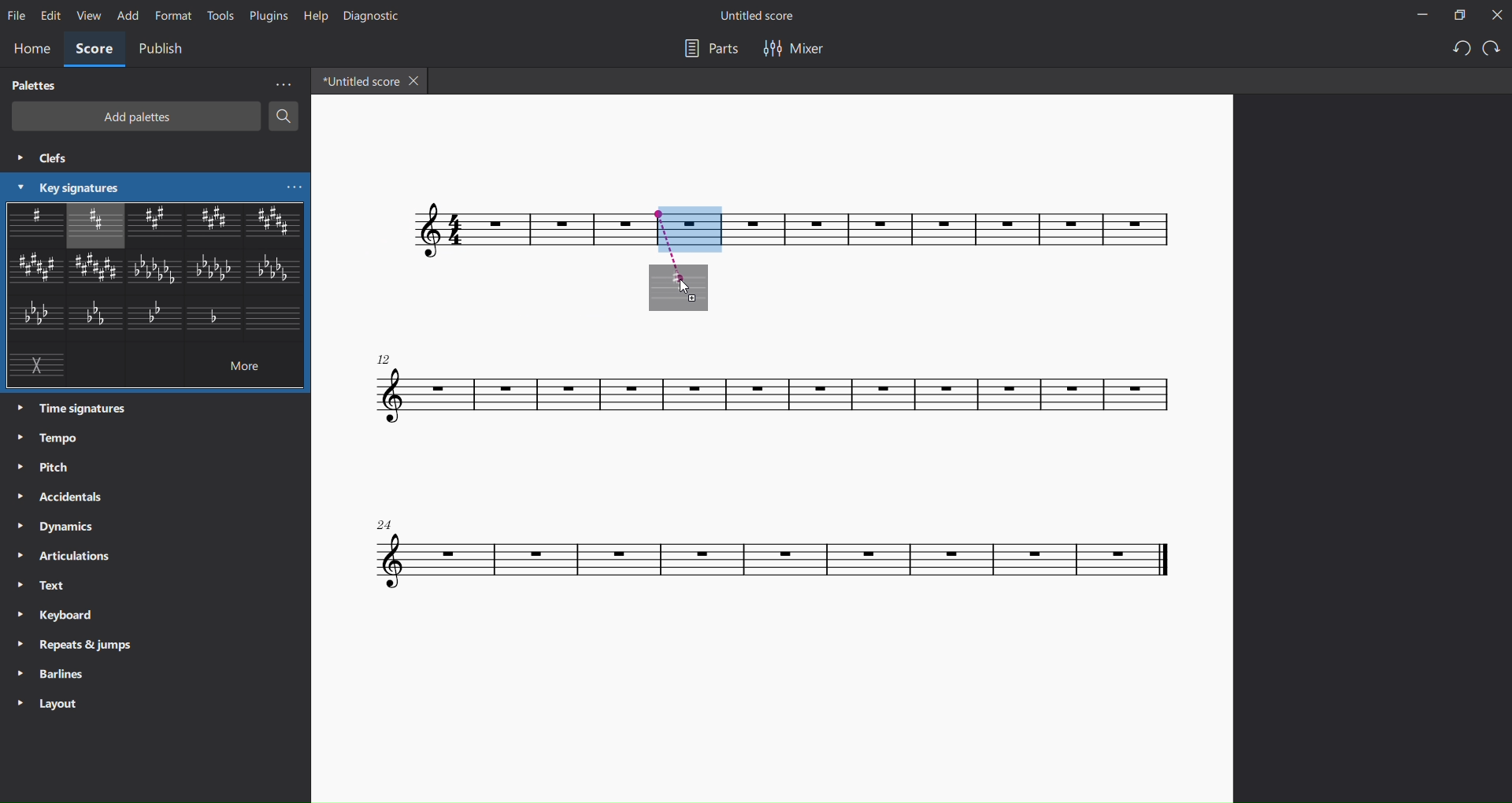 This screenshot has width=1512, height=803. I want to click on dynamics, so click(64, 528).